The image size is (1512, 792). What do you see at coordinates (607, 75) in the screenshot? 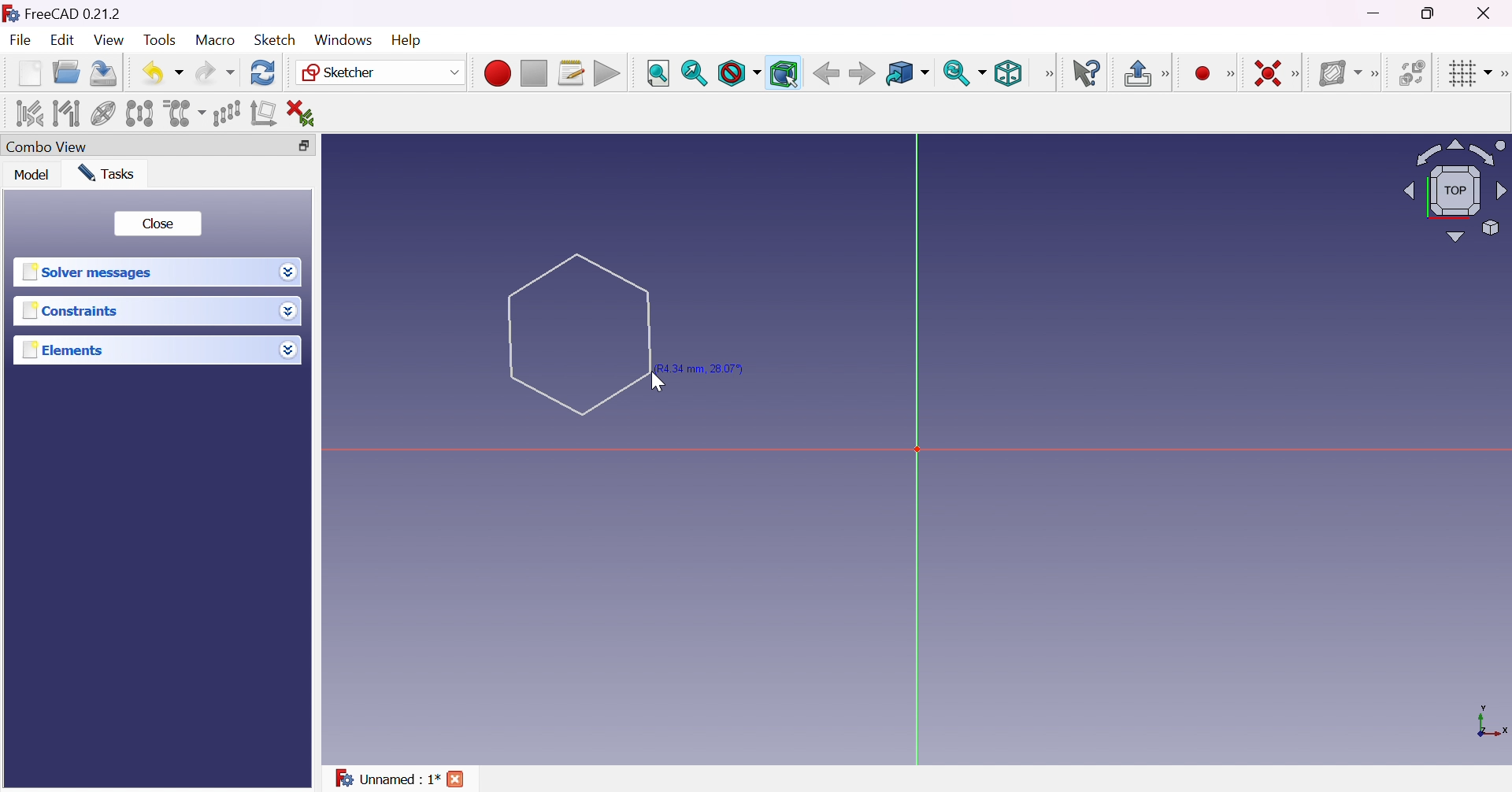
I see `Execute macro` at bounding box center [607, 75].